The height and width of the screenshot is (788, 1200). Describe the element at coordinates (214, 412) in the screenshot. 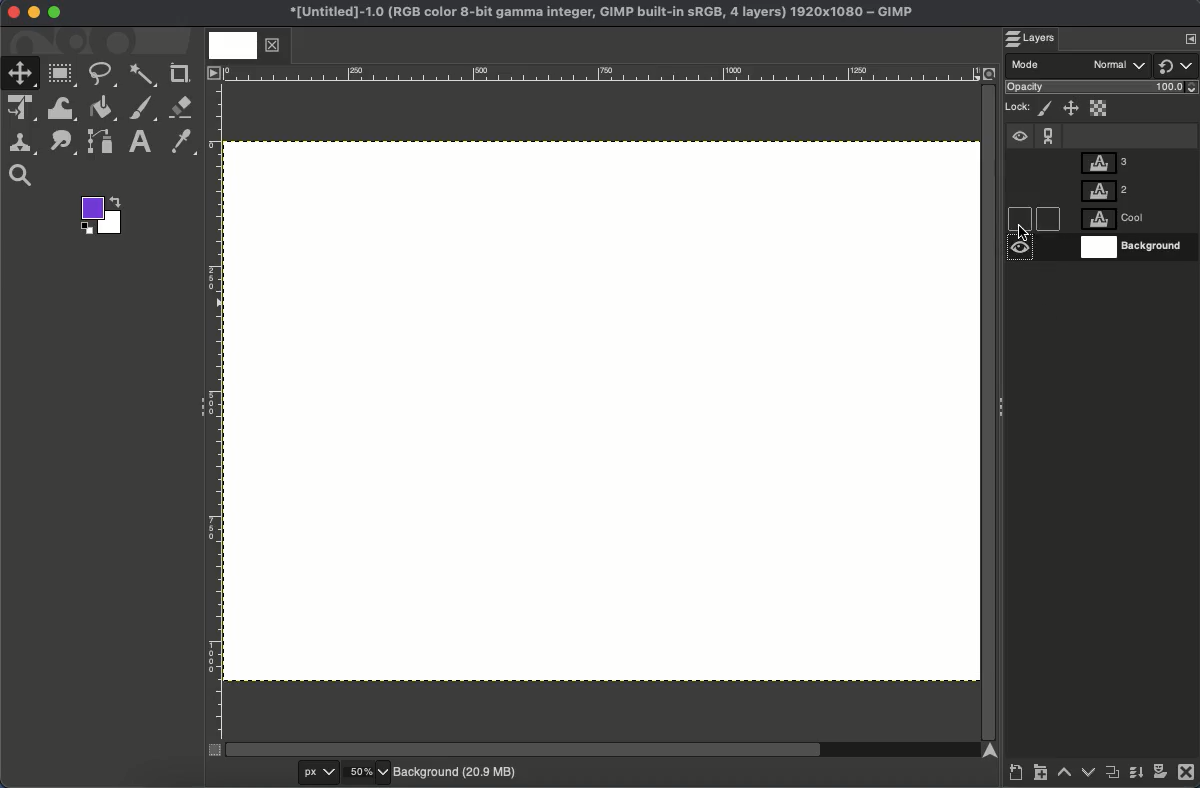

I see `Ruler` at that location.